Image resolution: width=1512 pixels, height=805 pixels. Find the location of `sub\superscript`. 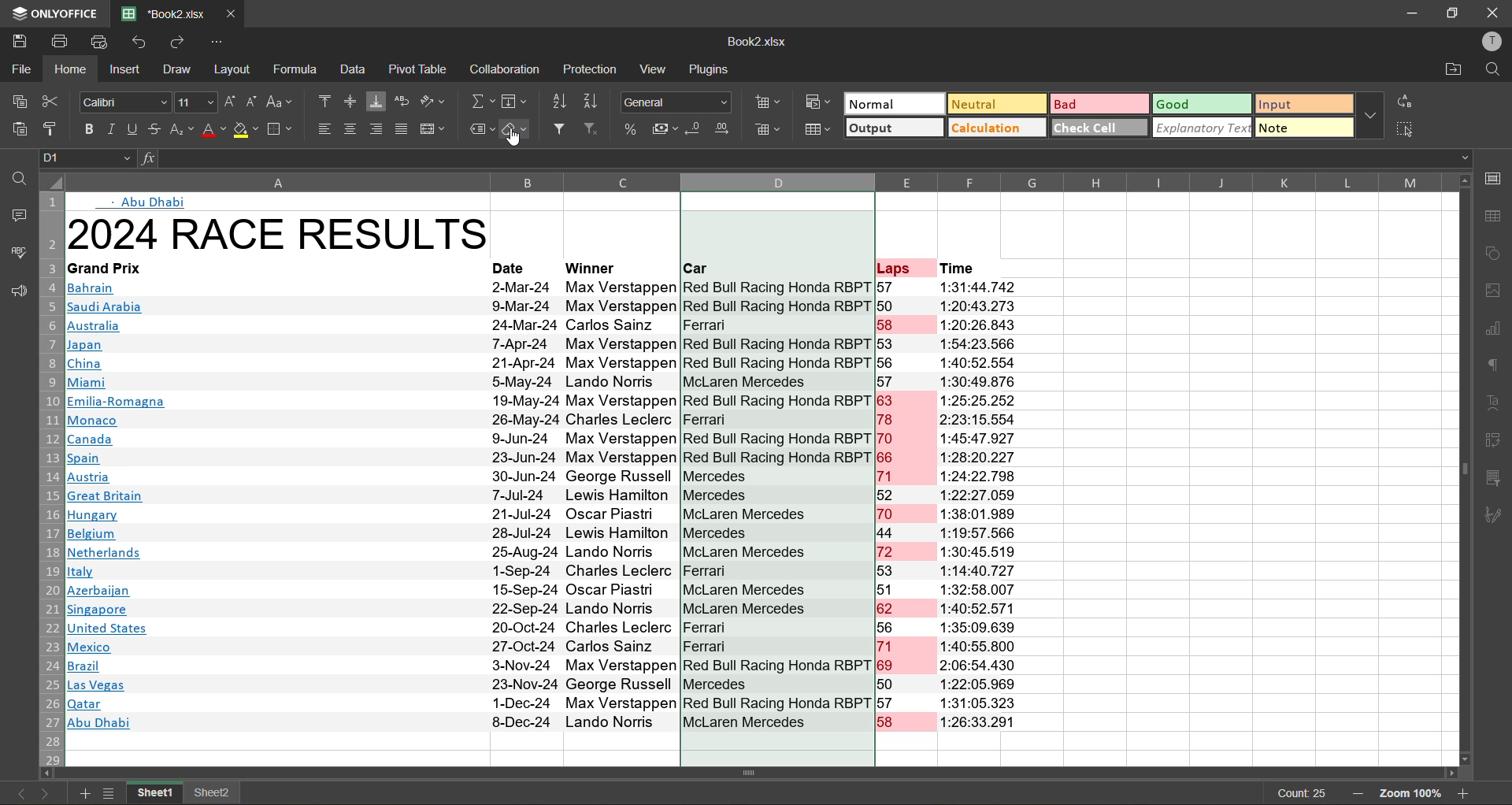

sub\superscript is located at coordinates (182, 128).